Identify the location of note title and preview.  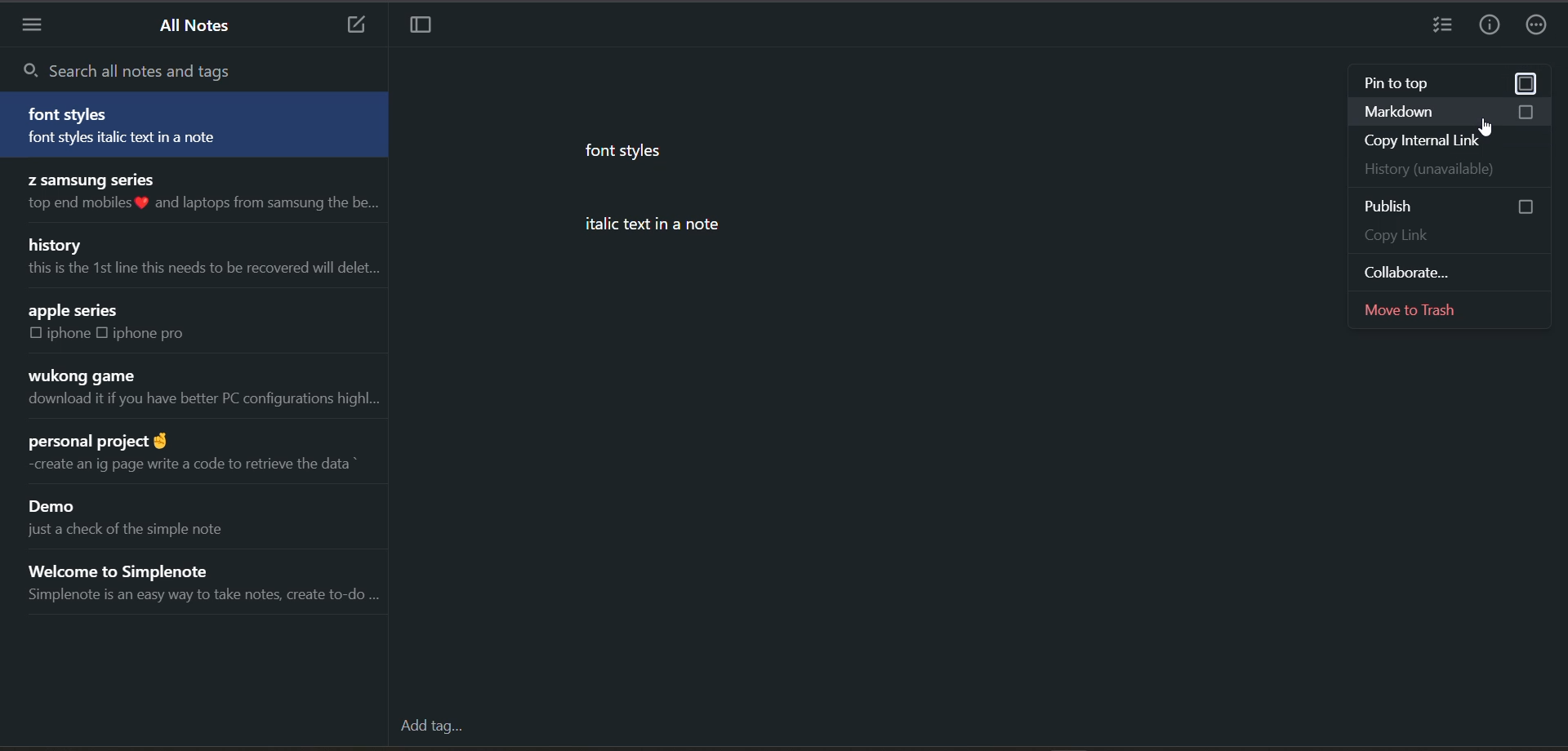
(197, 457).